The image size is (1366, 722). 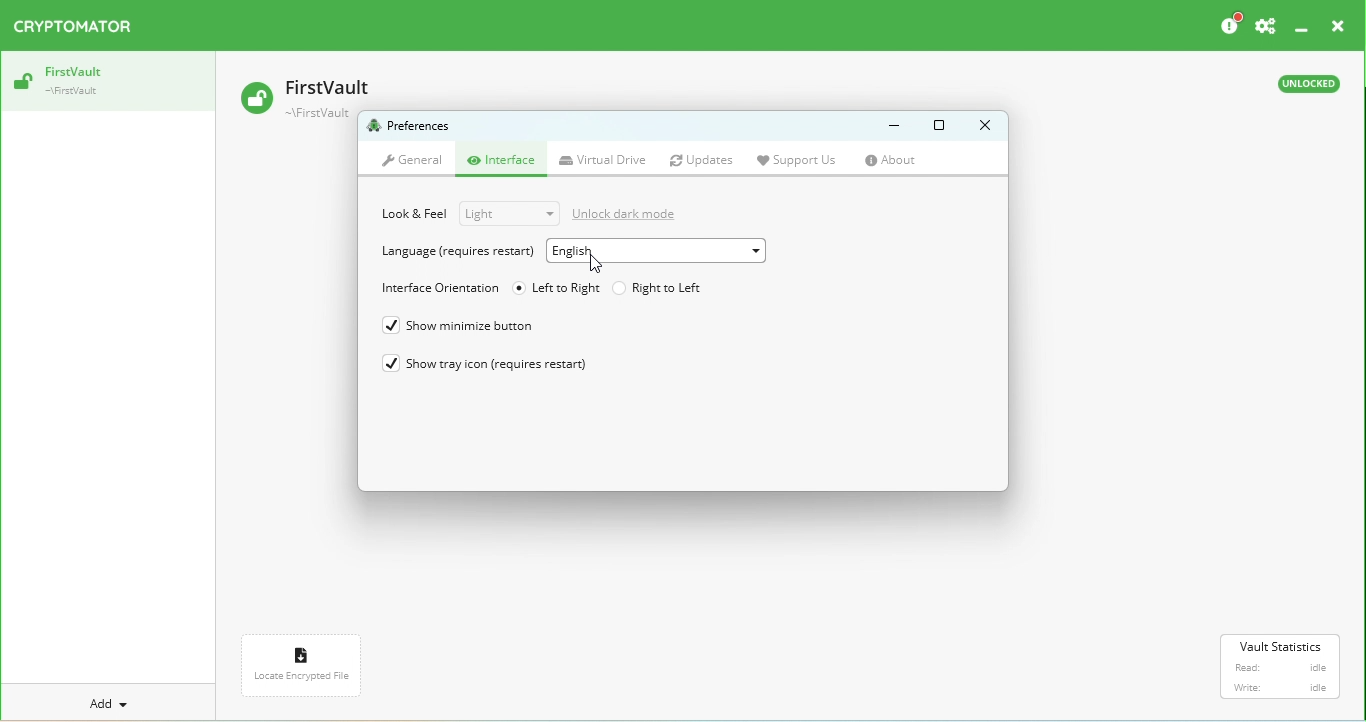 What do you see at coordinates (804, 160) in the screenshot?
I see `Support us` at bounding box center [804, 160].